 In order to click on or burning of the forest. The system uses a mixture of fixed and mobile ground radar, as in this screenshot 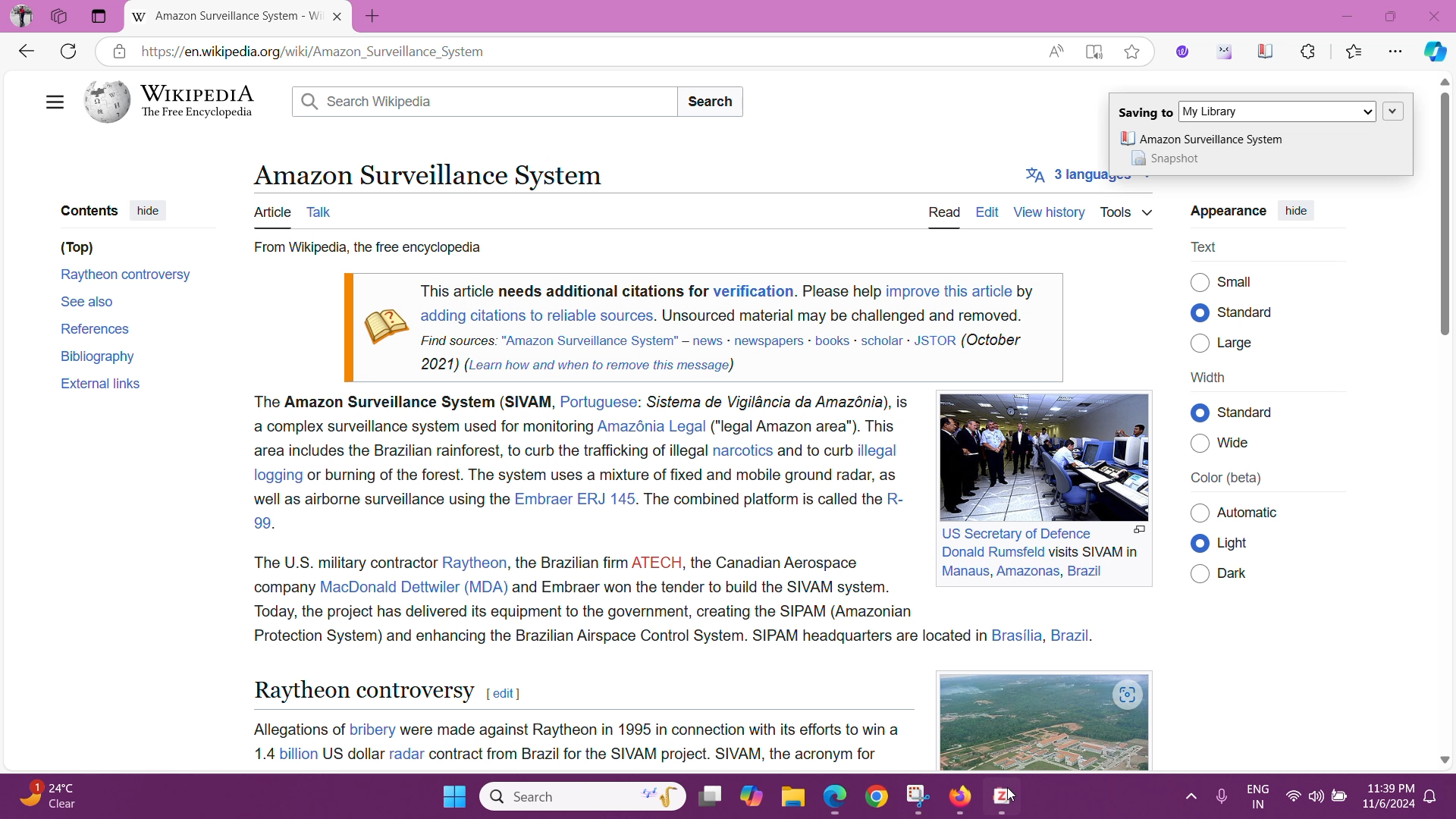, I will do `click(605, 473)`.